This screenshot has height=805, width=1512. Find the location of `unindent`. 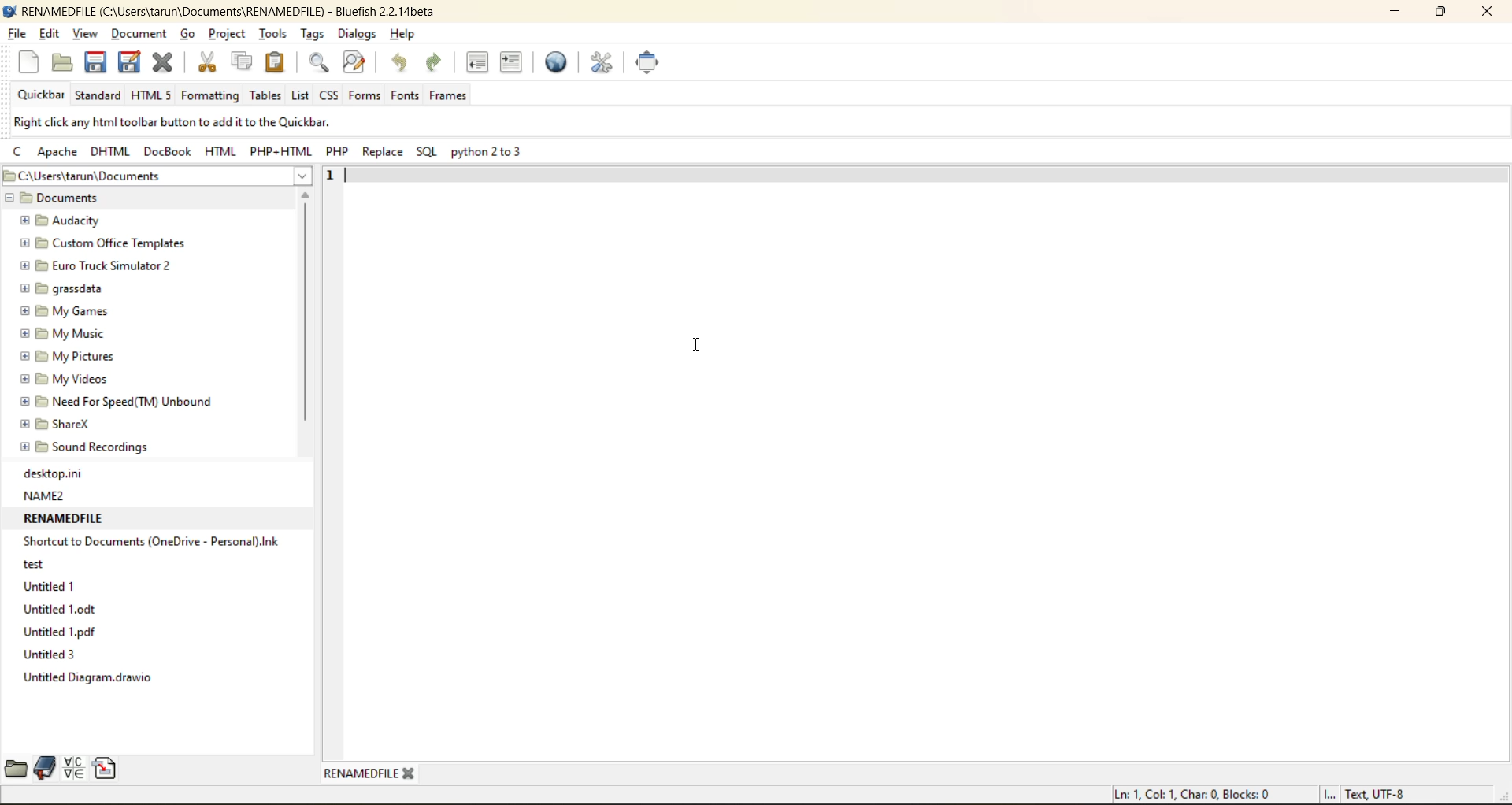

unindent is located at coordinates (480, 62).